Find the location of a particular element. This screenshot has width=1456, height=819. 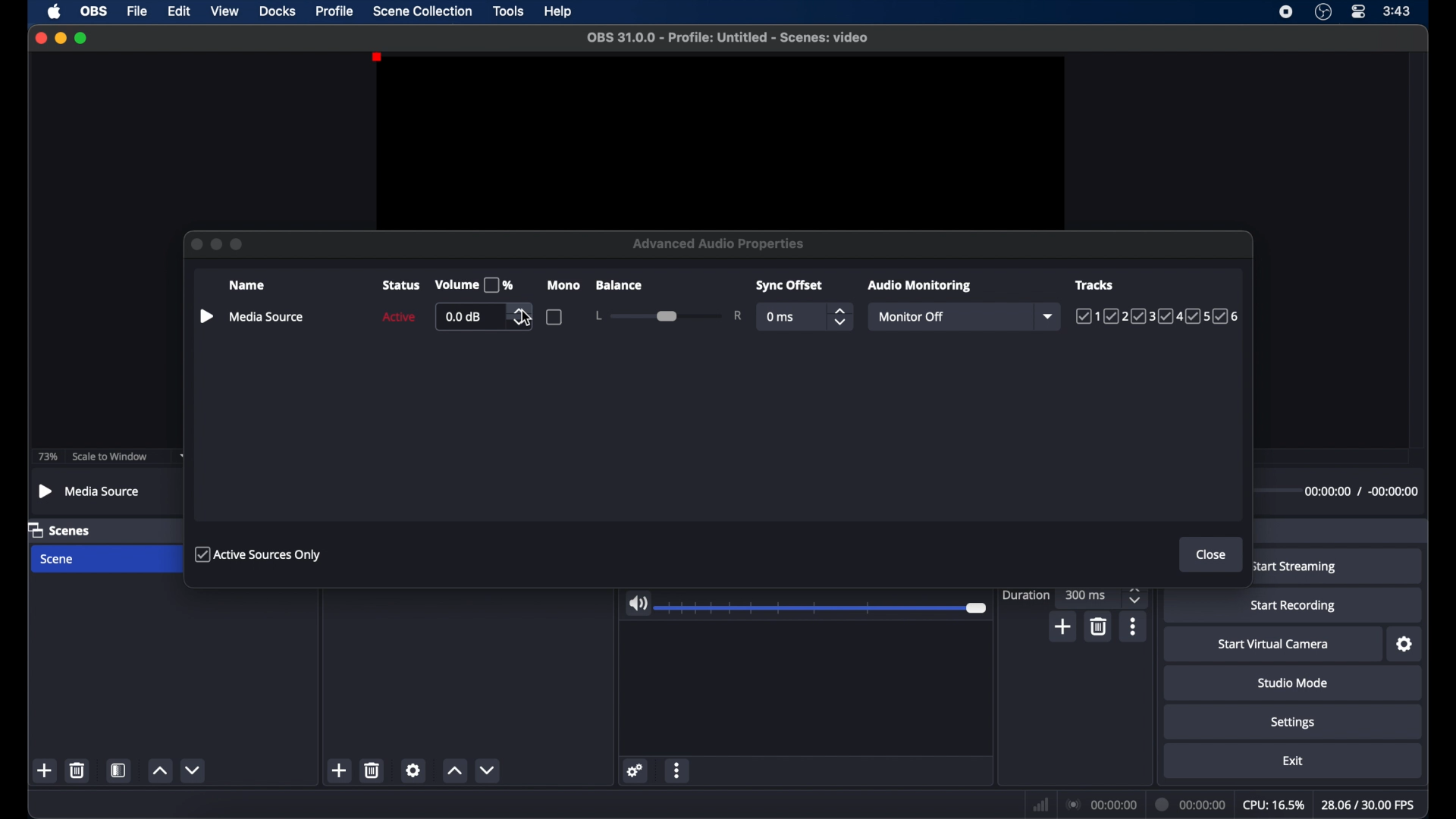

settings is located at coordinates (1404, 644).